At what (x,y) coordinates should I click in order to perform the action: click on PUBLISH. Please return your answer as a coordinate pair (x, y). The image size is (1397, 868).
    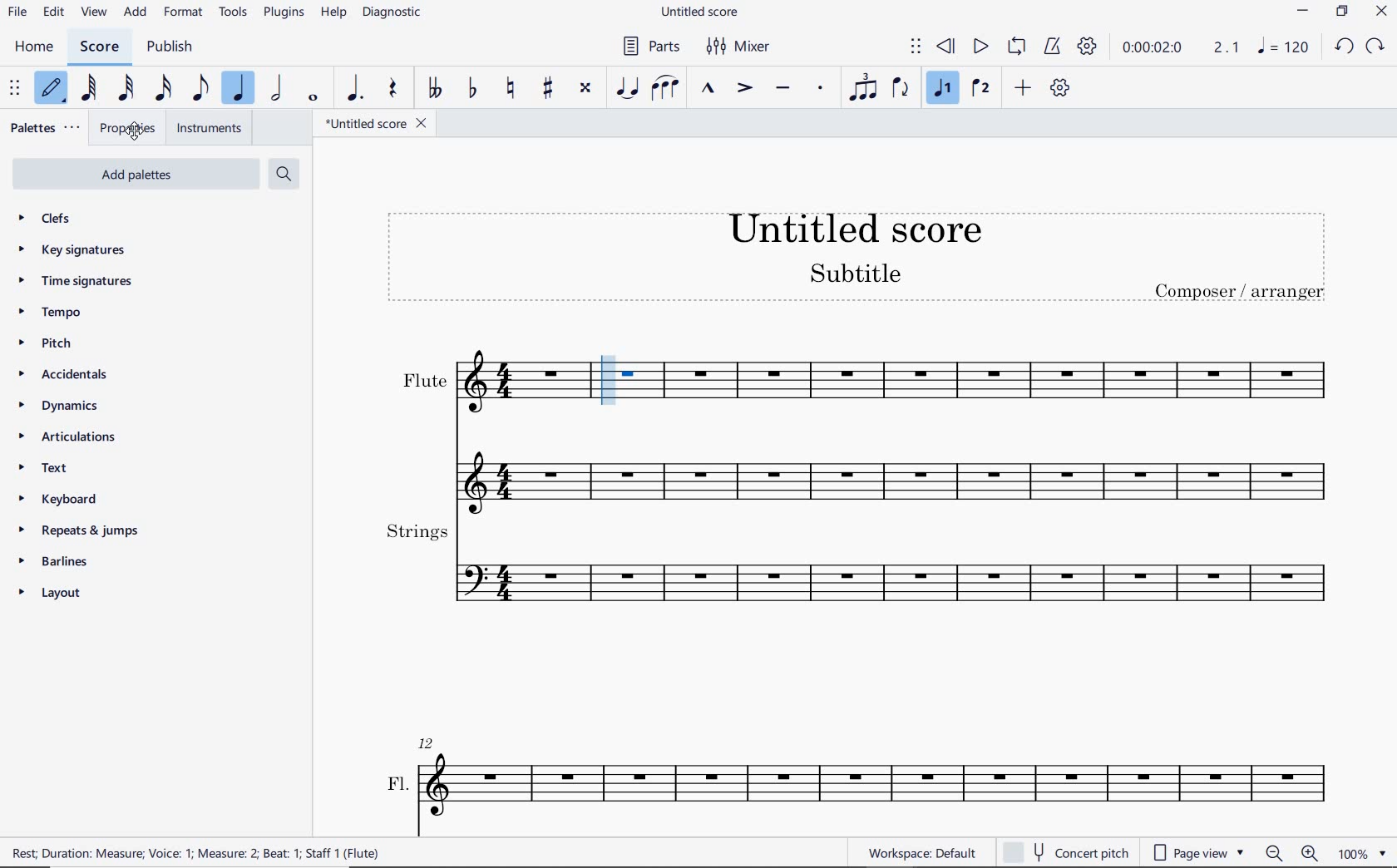
    Looking at the image, I should click on (170, 47).